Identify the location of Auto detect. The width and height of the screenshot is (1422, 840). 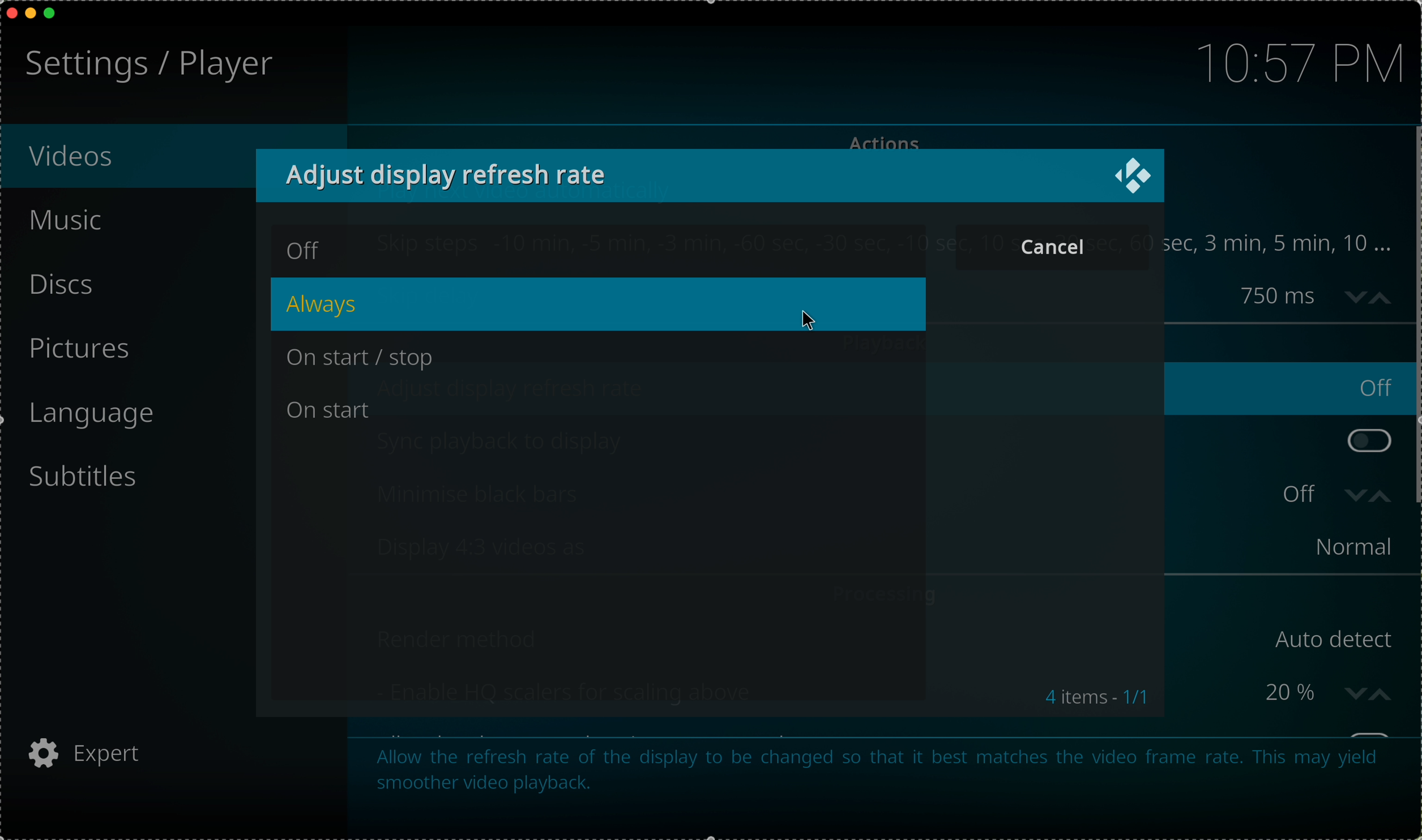
(1335, 637).